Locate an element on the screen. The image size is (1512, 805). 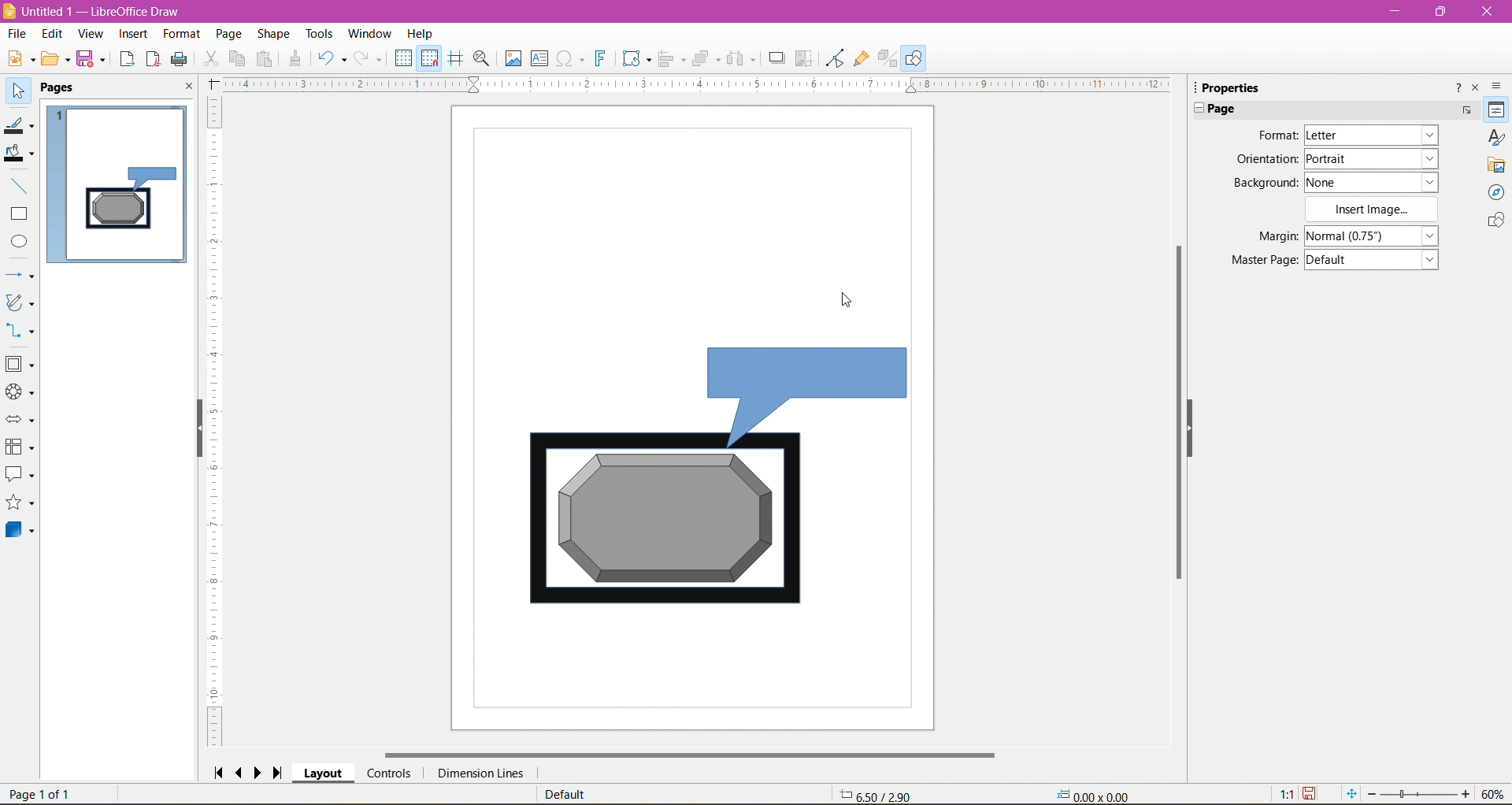
Line Color is located at coordinates (20, 127).